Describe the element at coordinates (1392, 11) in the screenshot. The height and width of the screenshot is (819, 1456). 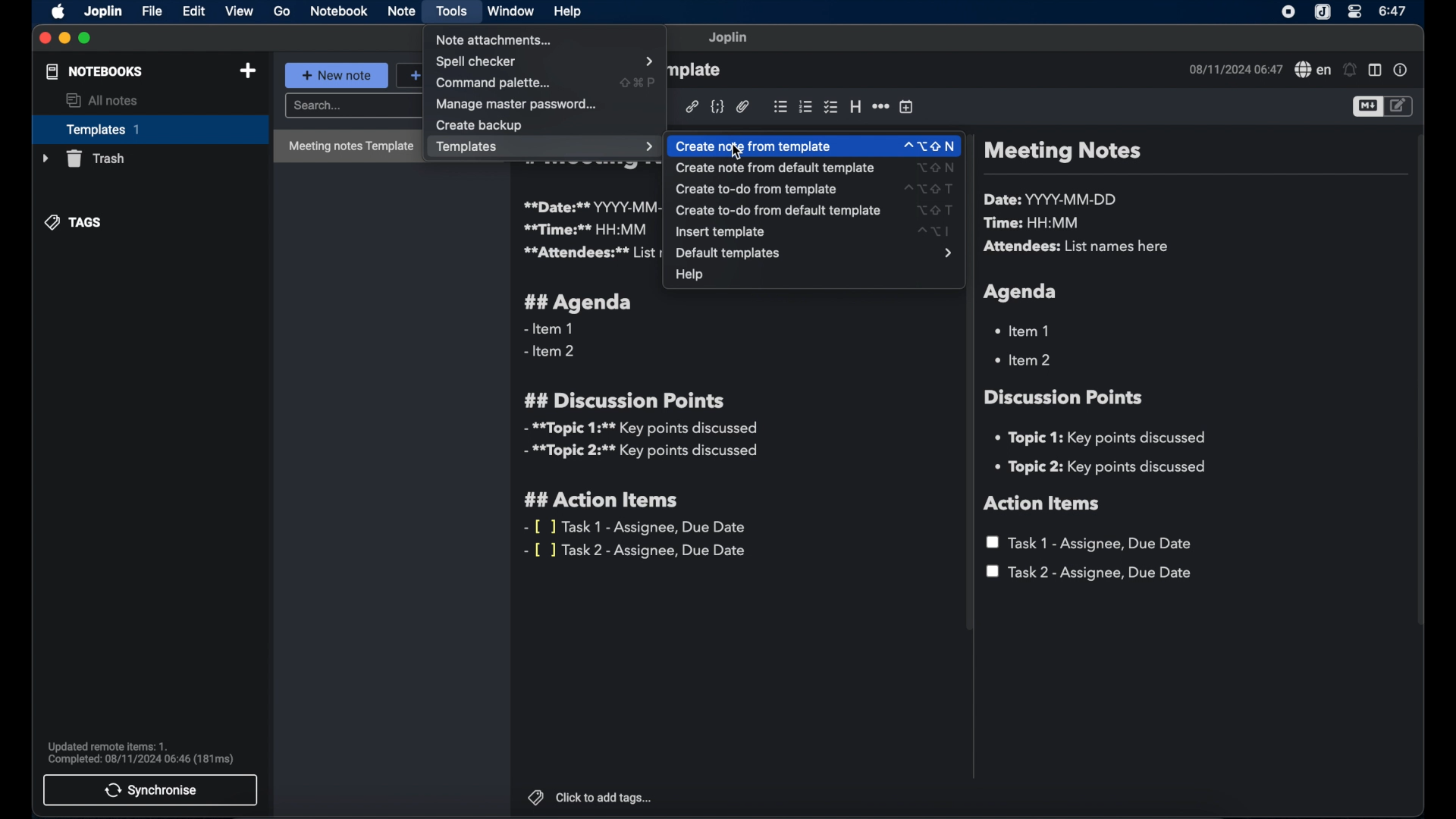
I see `6:47` at that location.